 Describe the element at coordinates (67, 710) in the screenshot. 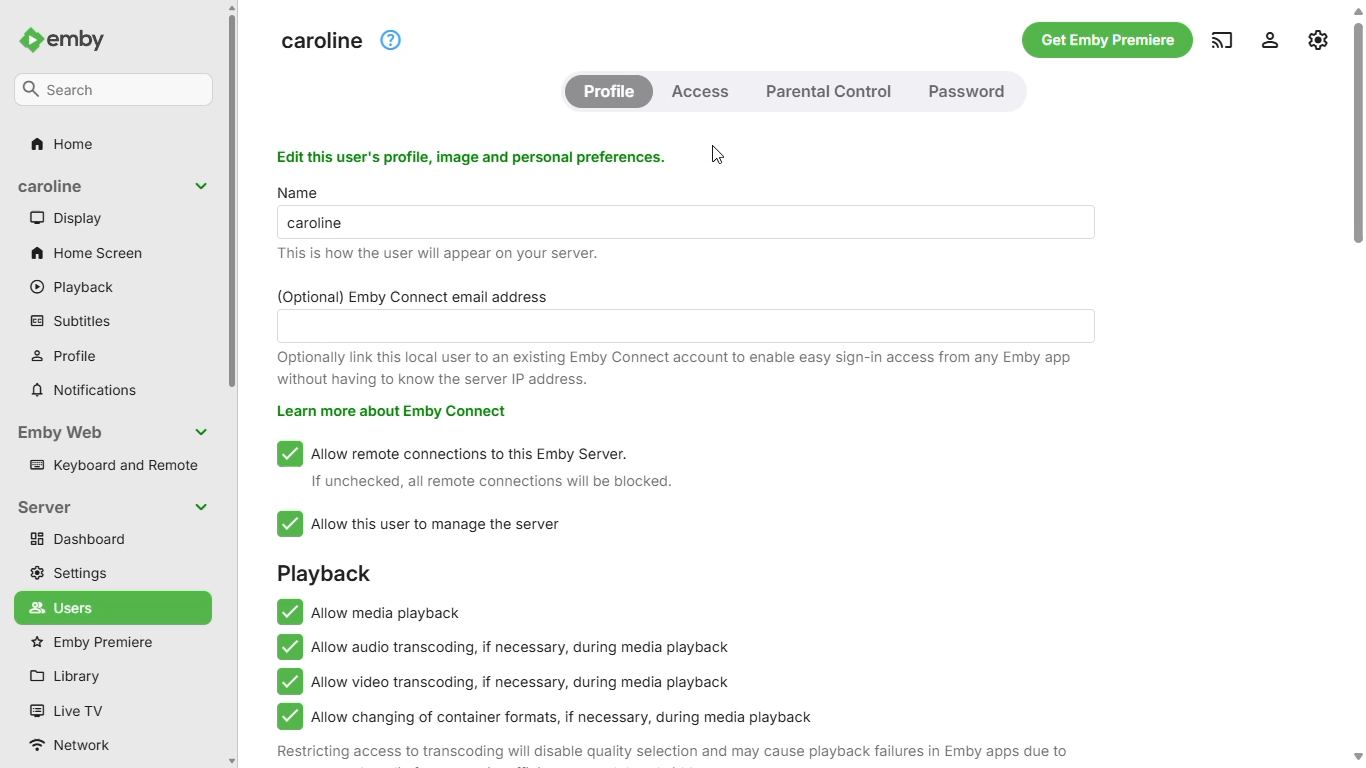

I see `live TV` at that location.